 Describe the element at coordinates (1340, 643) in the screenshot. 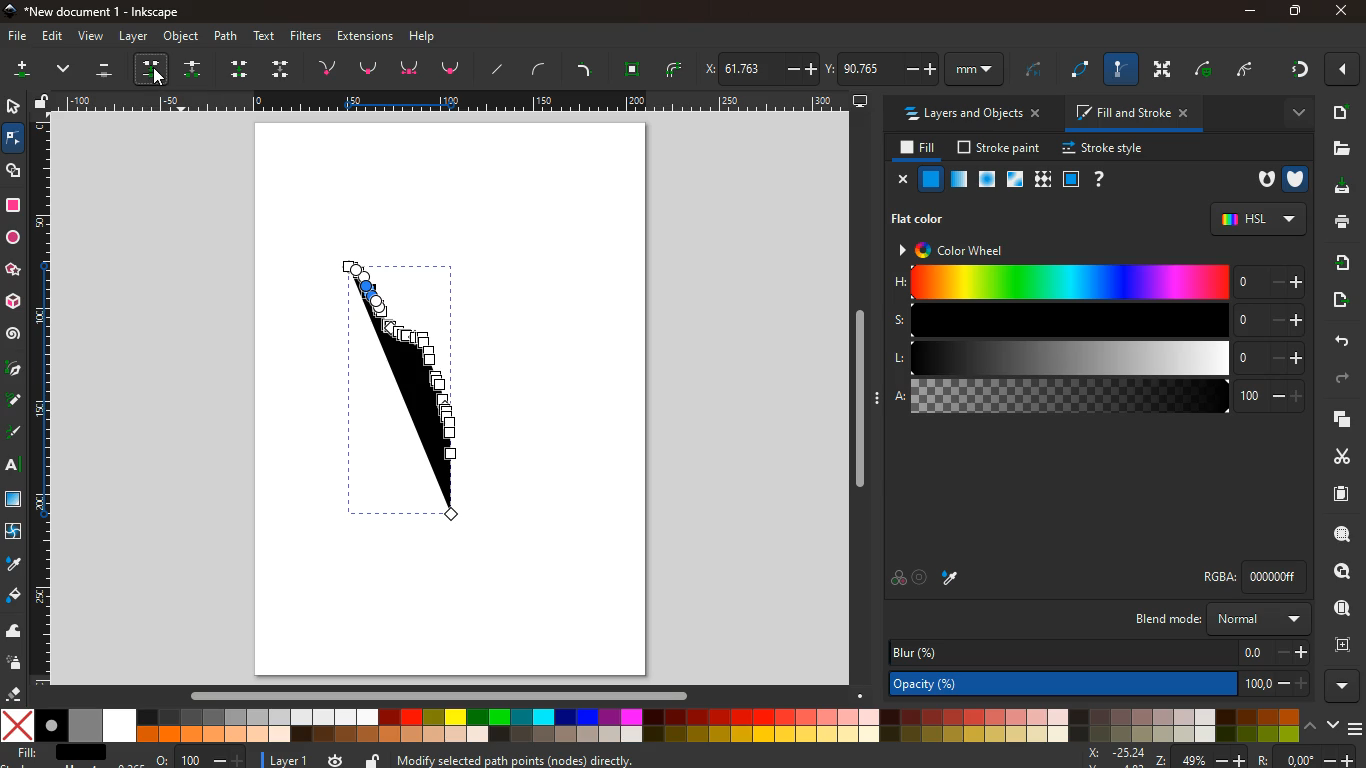

I see `frame` at that location.